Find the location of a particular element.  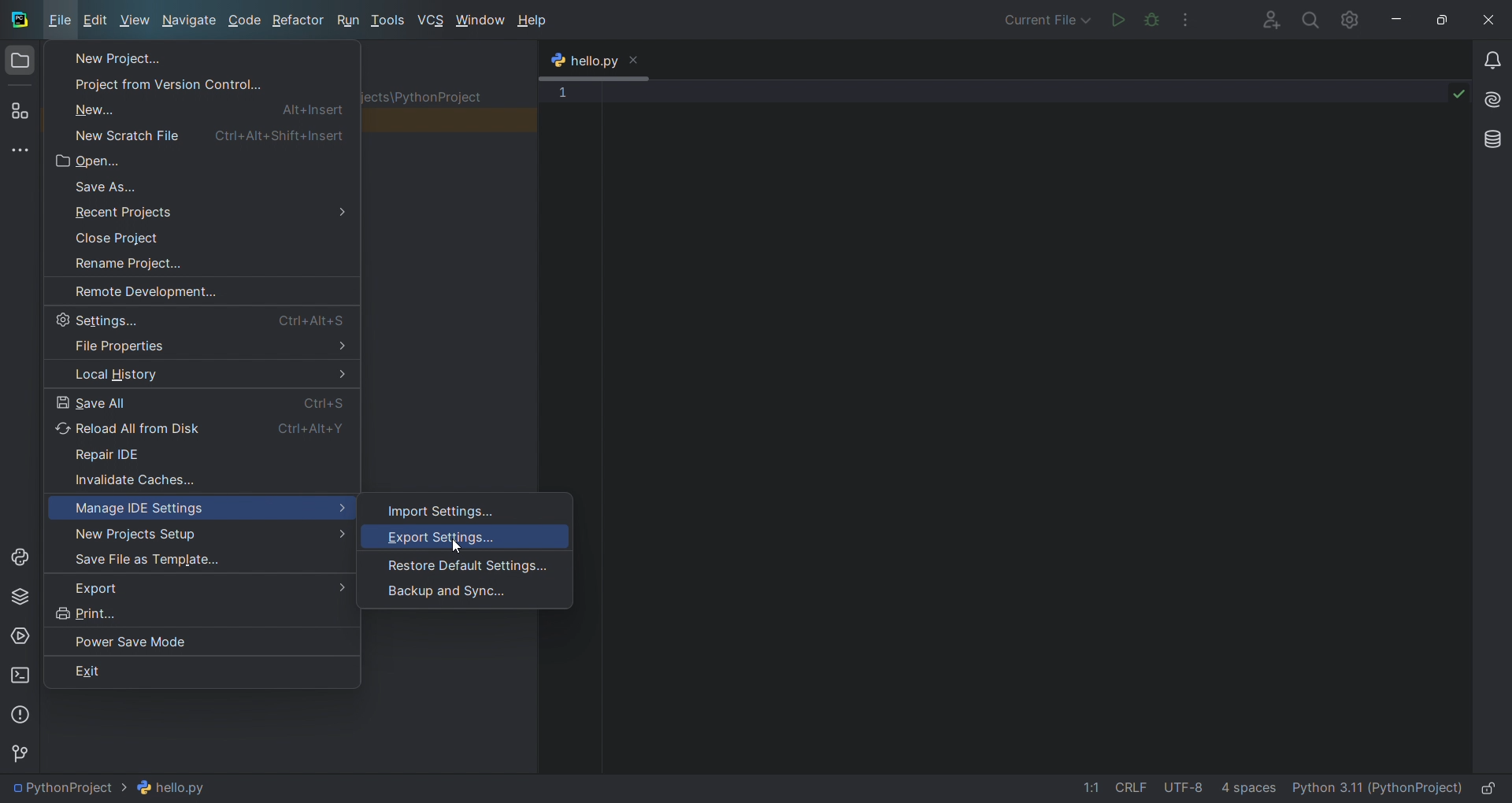

save as is located at coordinates (202, 185).